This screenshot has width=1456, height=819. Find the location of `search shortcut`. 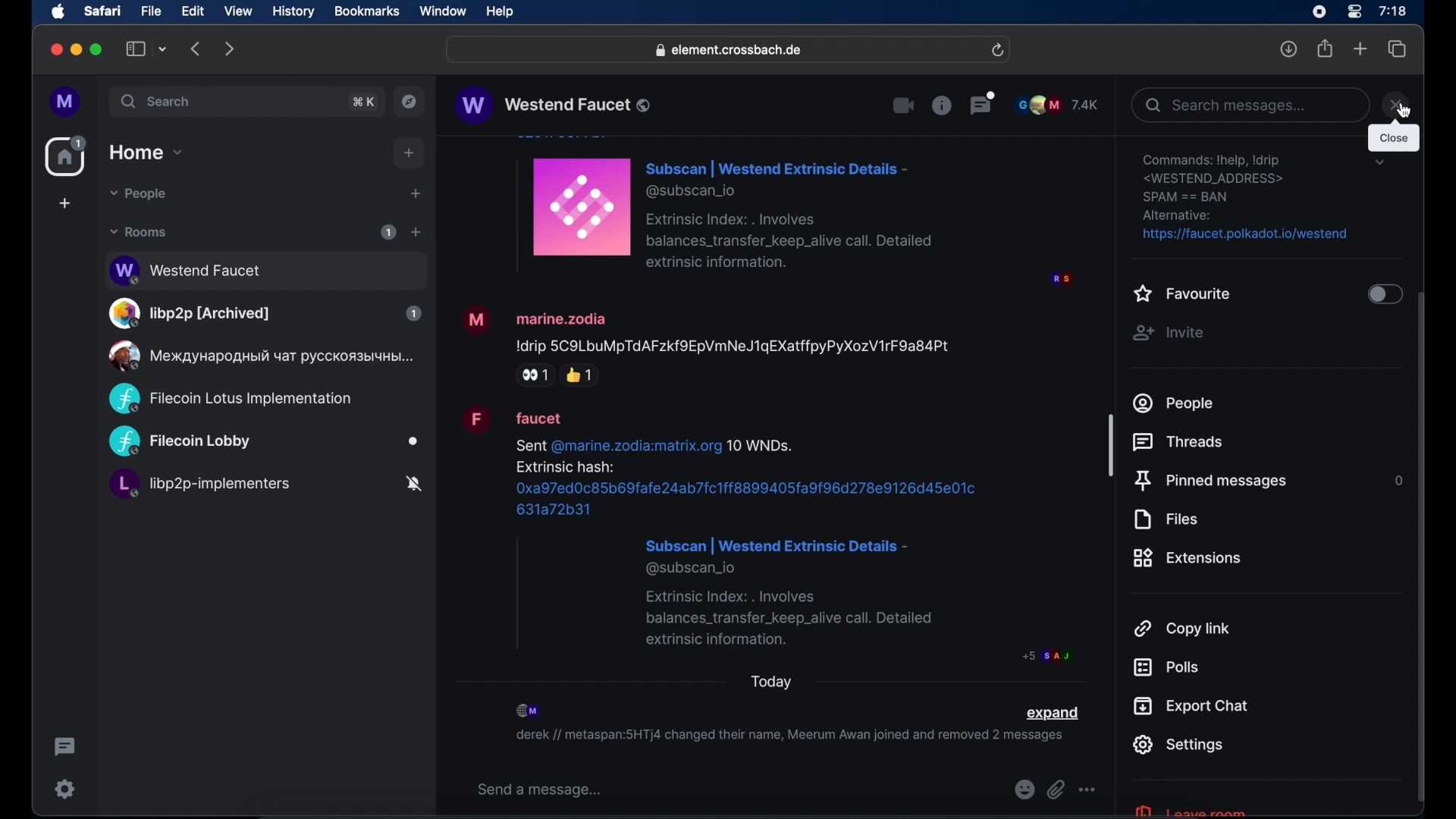

search shortcut is located at coordinates (365, 102).